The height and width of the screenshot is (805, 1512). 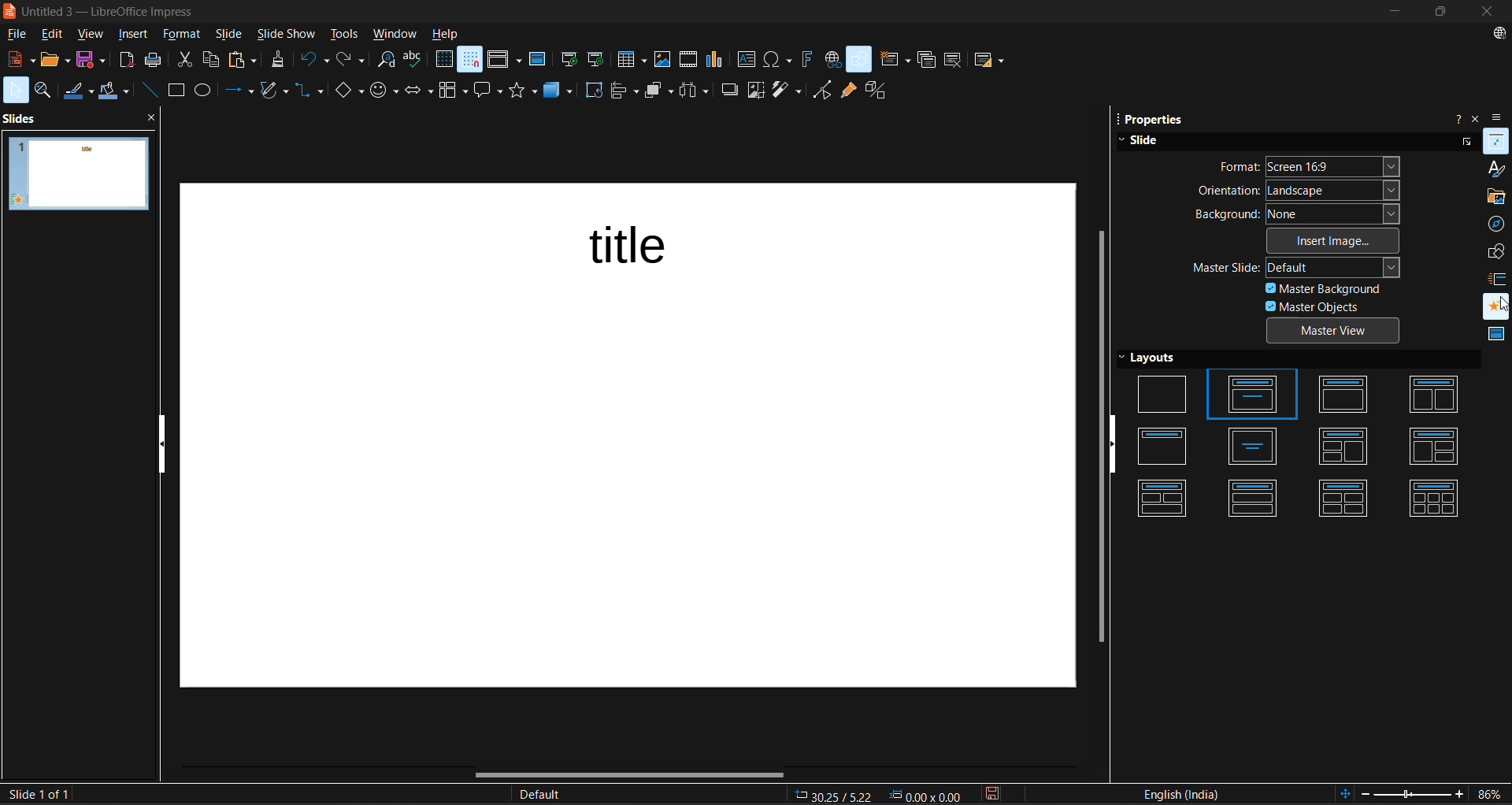 What do you see at coordinates (631, 774) in the screenshot?
I see `horizontal scroll bar` at bounding box center [631, 774].